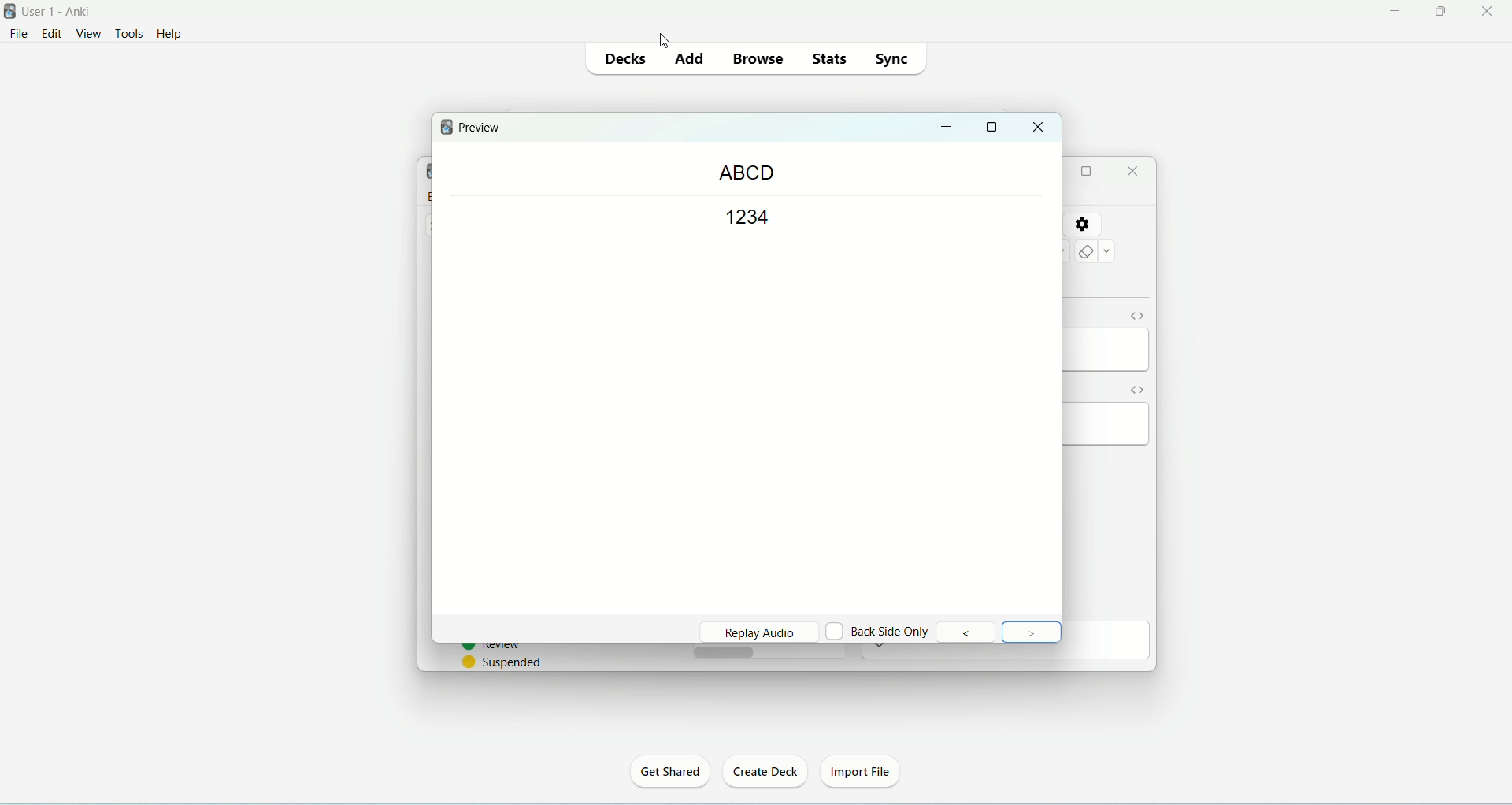 The height and width of the screenshot is (805, 1512). I want to click on edit, so click(56, 35).